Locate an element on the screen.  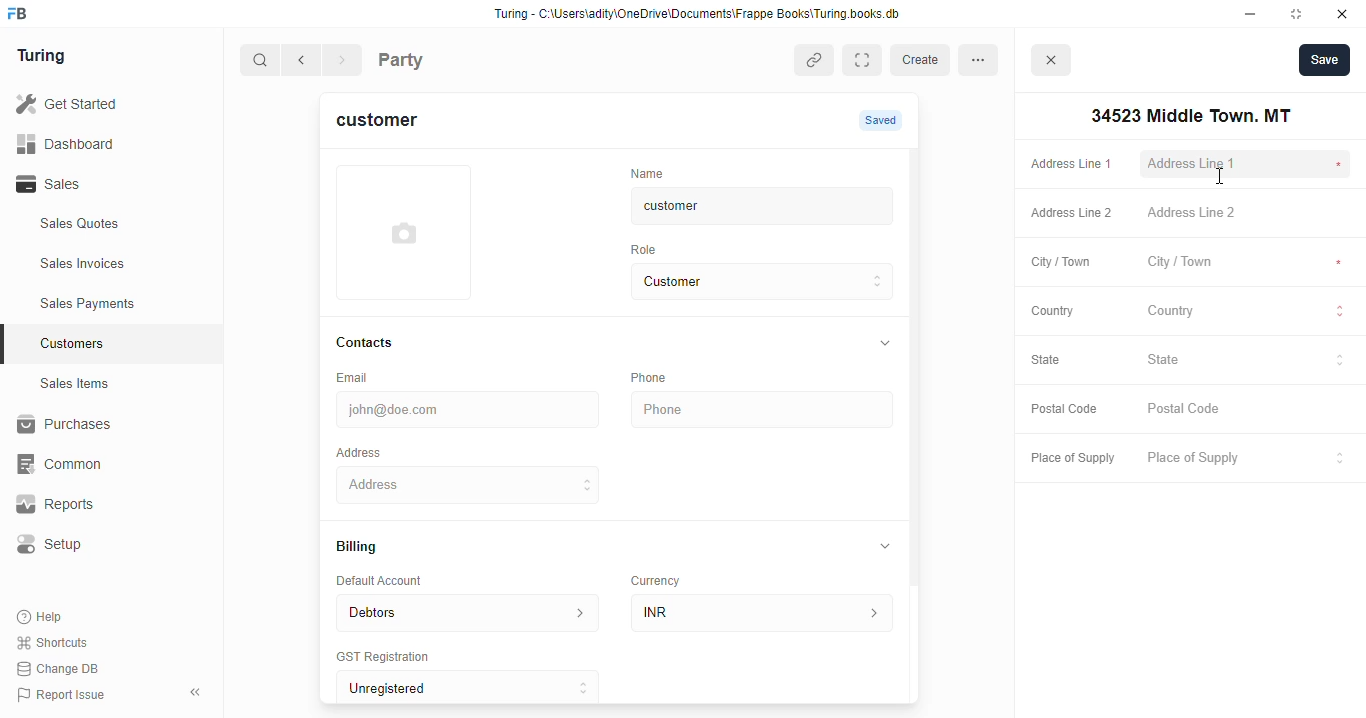
Phone is located at coordinates (660, 377).